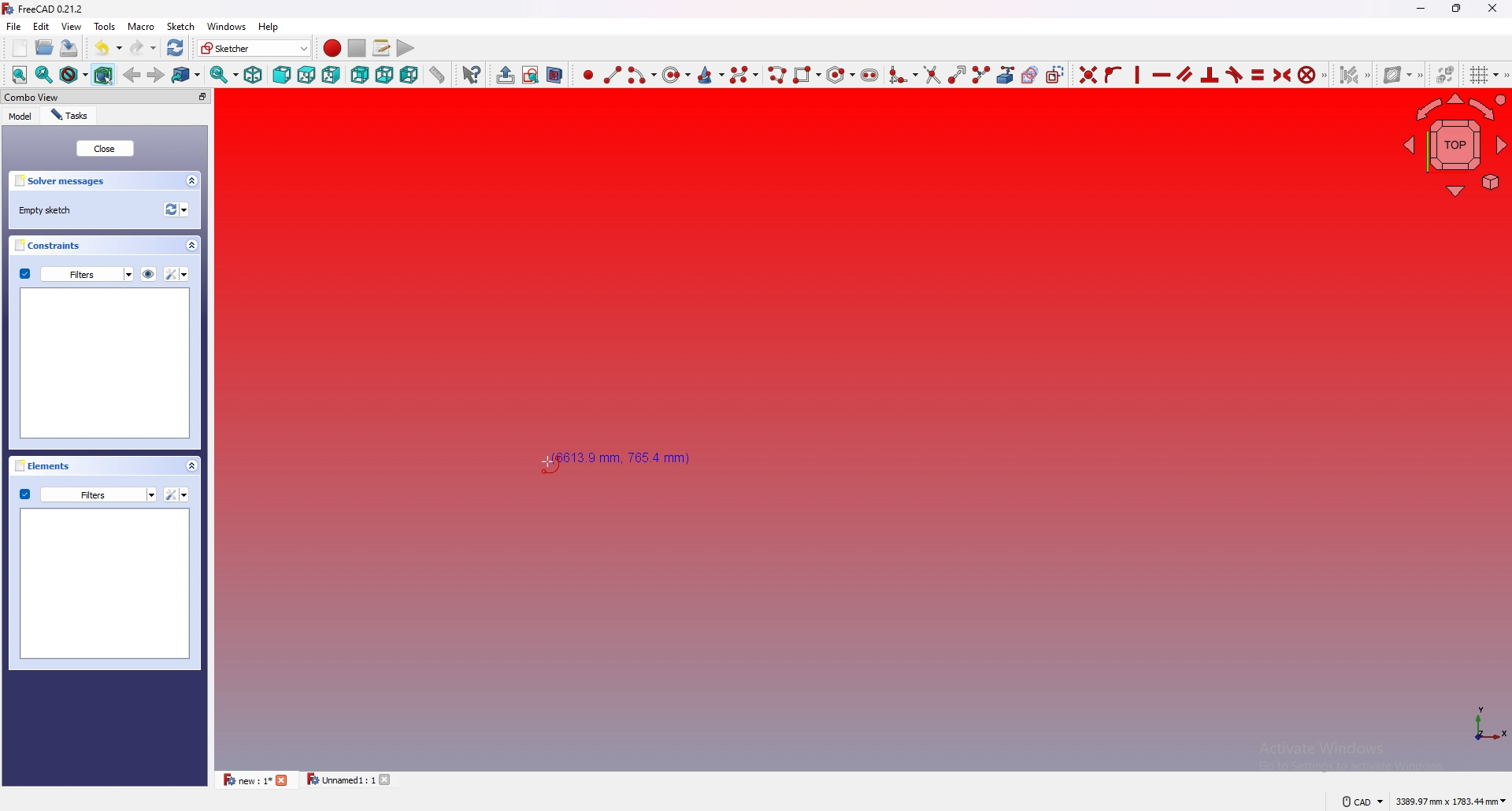 The width and height of the screenshot is (1512, 811). What do you see at coordinates (339, 780) in the screenshot?
I see `Unnamed1 : 1` at bounding box center [339, 780].